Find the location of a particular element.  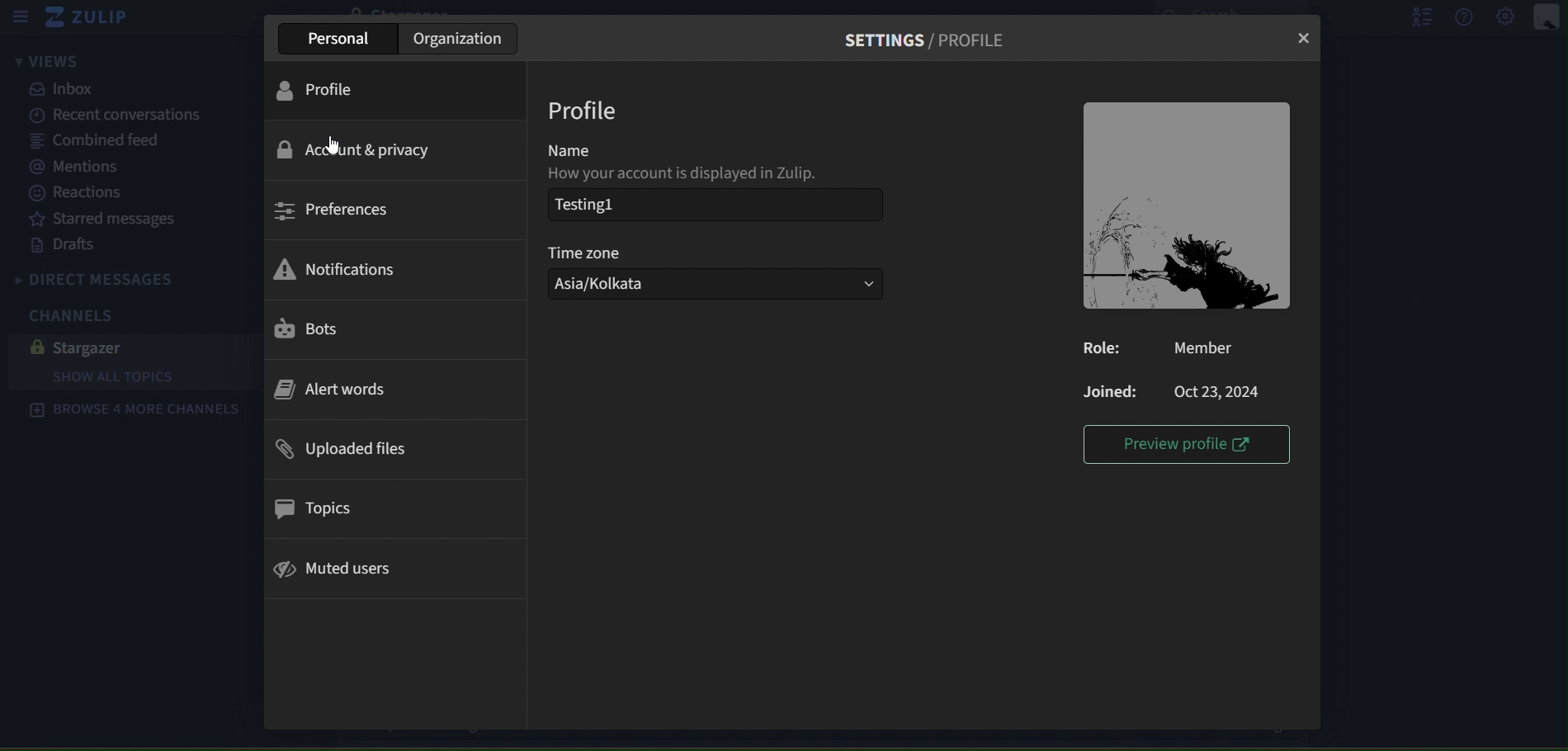

views is located at coordinates (44, 63).